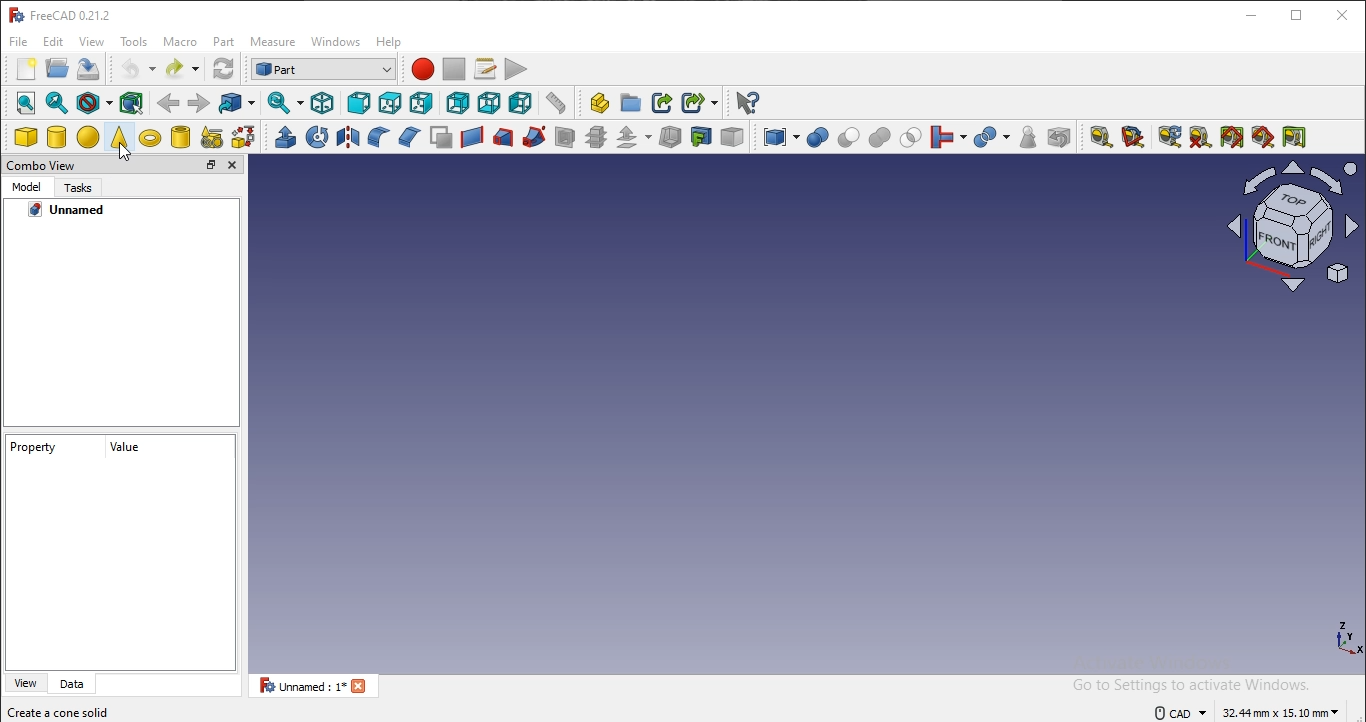 This screenshot has width=1366, height=722. I want to click on , so click(439, 137).